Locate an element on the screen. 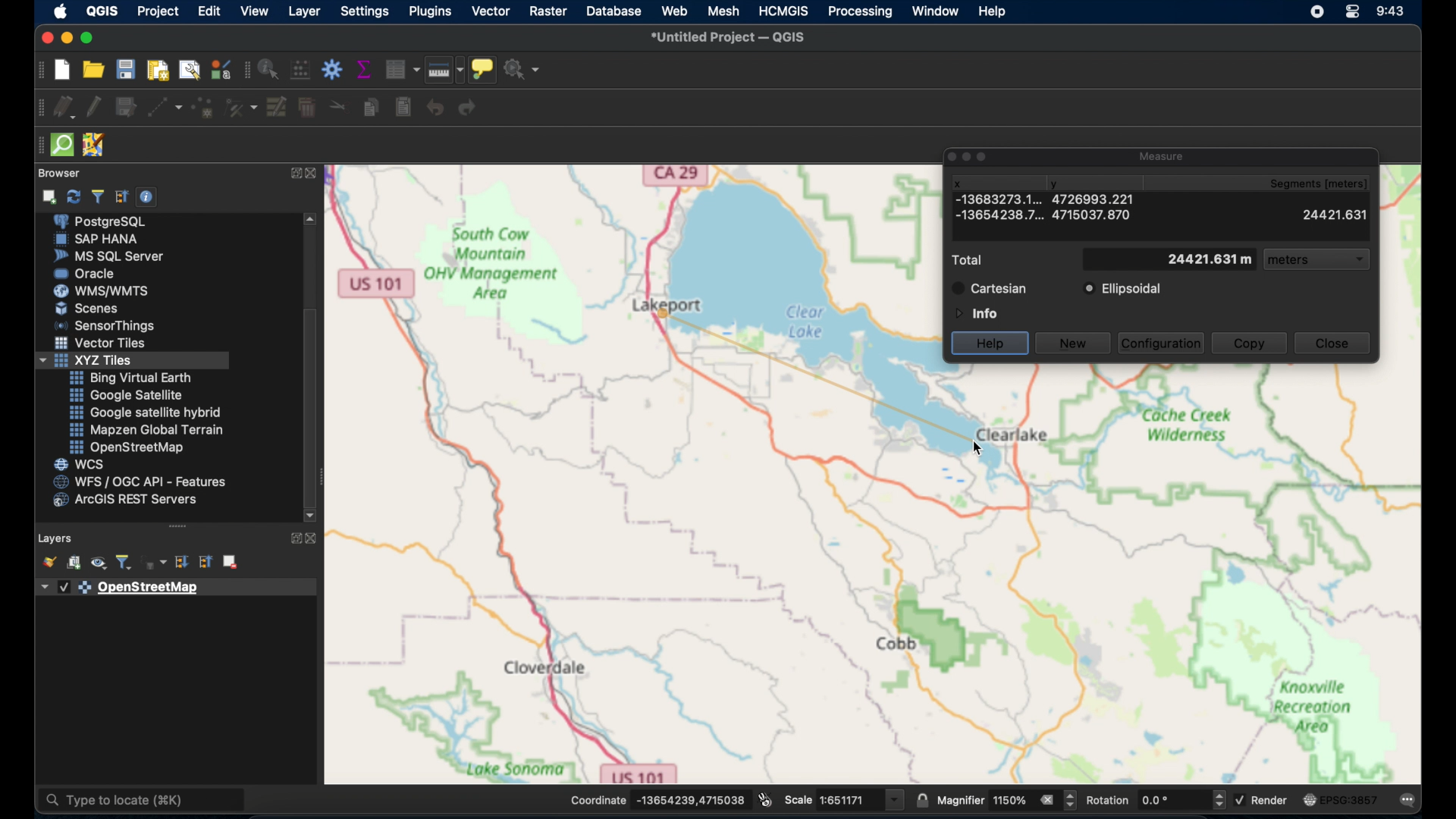 The height and width of the screenshot is (819, 1456). wms/wmts is located at coordinates (103, 290).